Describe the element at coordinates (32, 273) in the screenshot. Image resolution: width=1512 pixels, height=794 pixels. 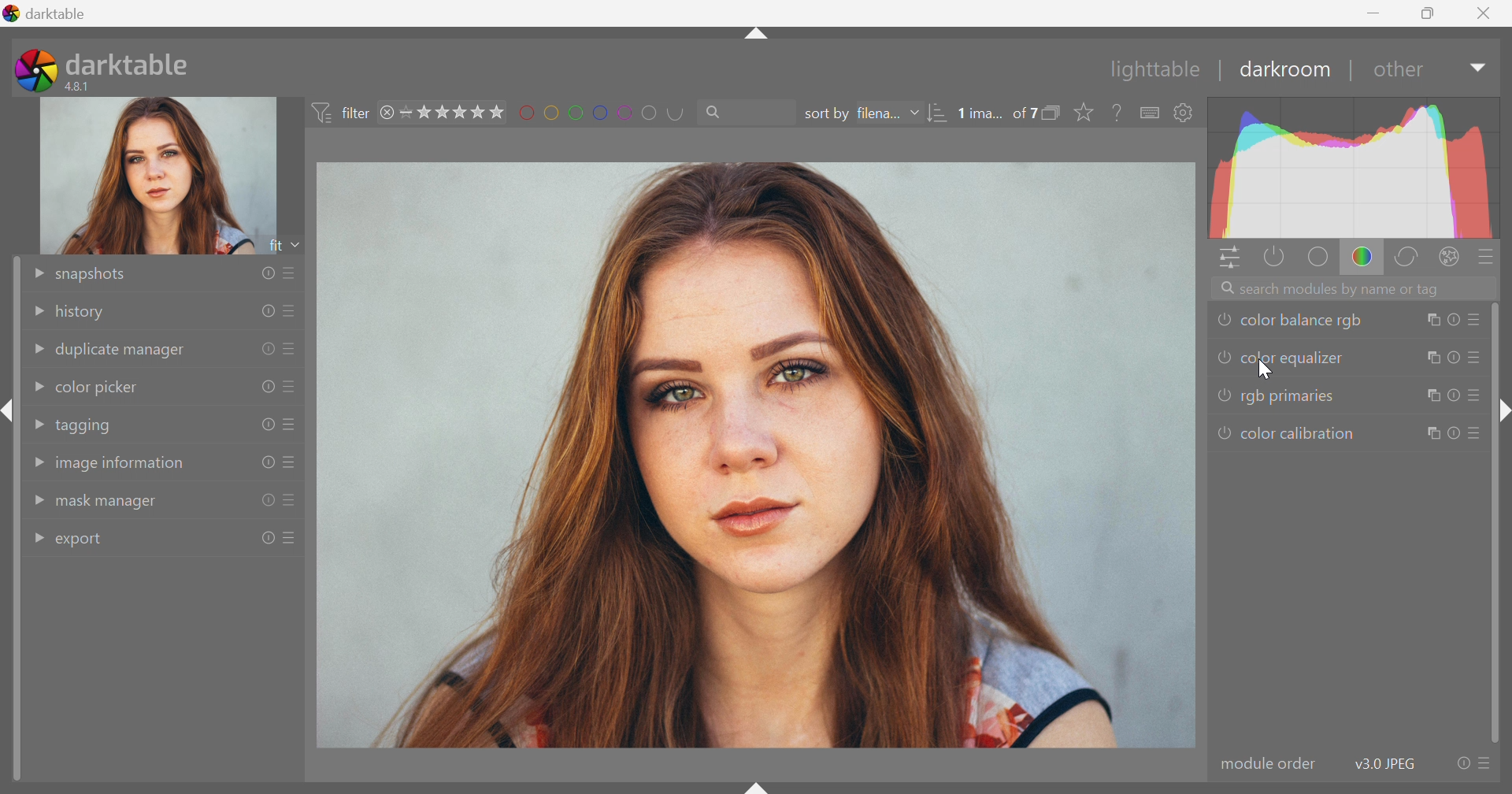
I see `Drop Down` at that location.